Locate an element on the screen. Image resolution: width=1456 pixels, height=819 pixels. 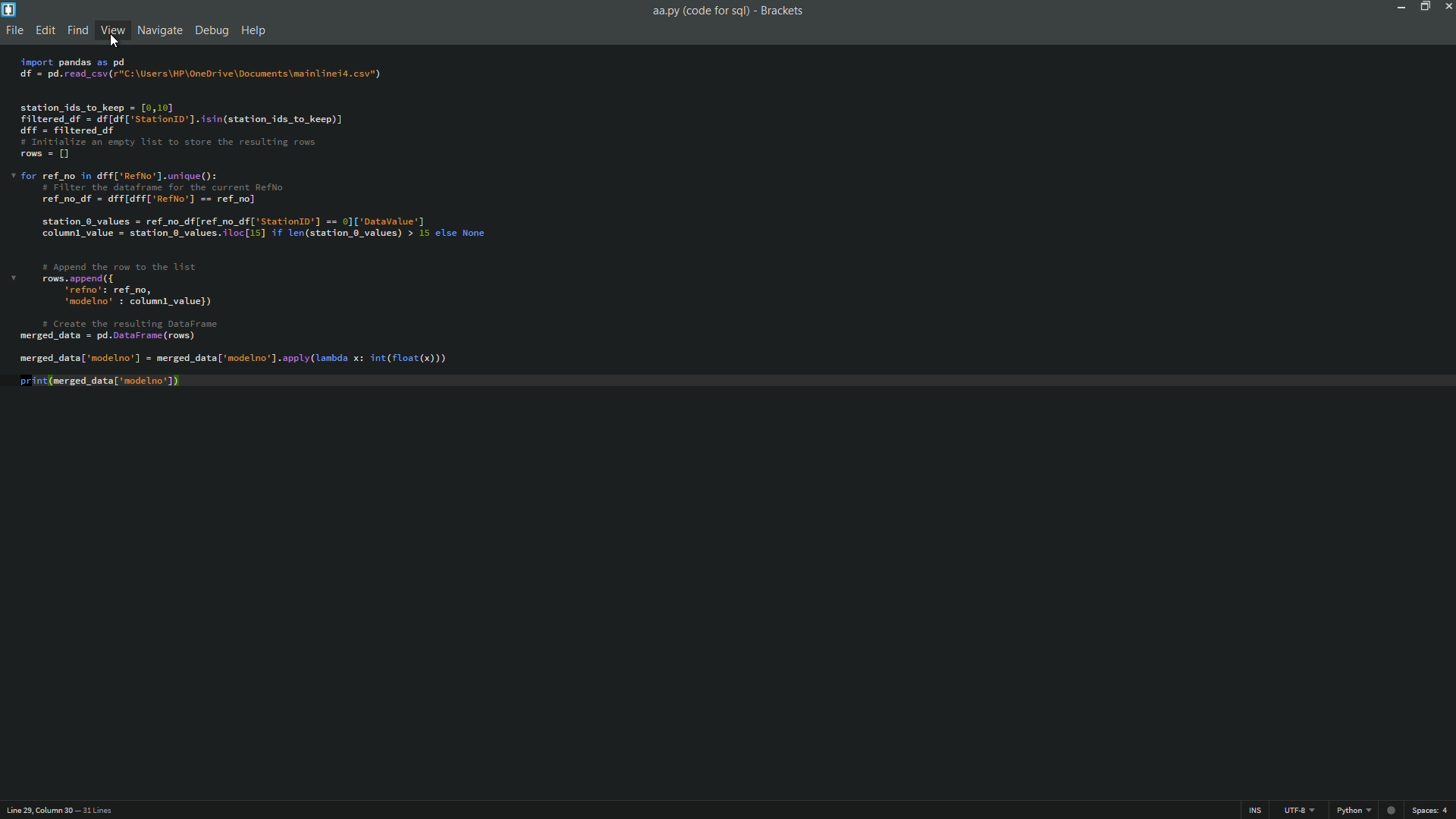
file menu is located at coordinates (15, 30).